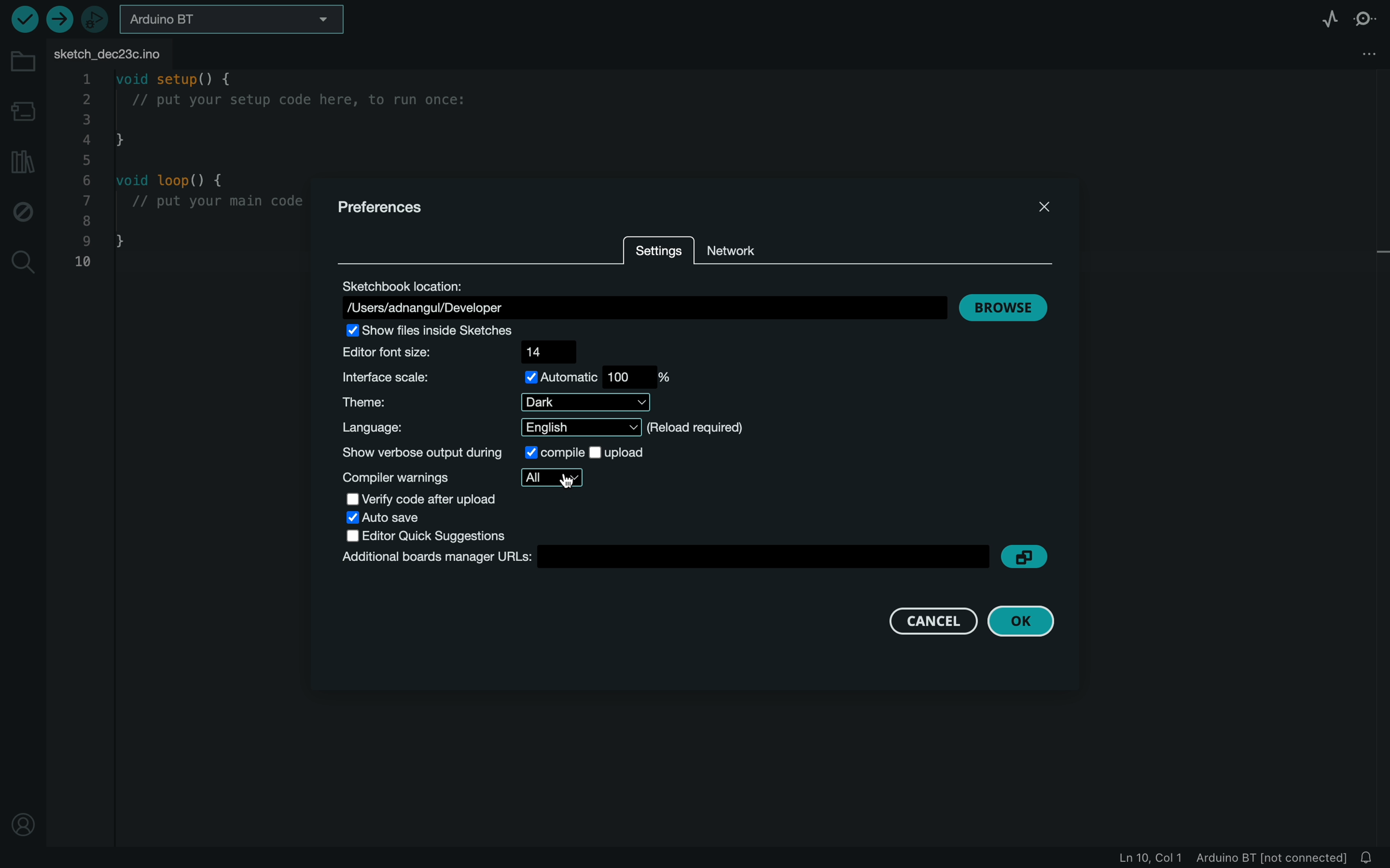  I want to click on interface scale, so click(512, 379).